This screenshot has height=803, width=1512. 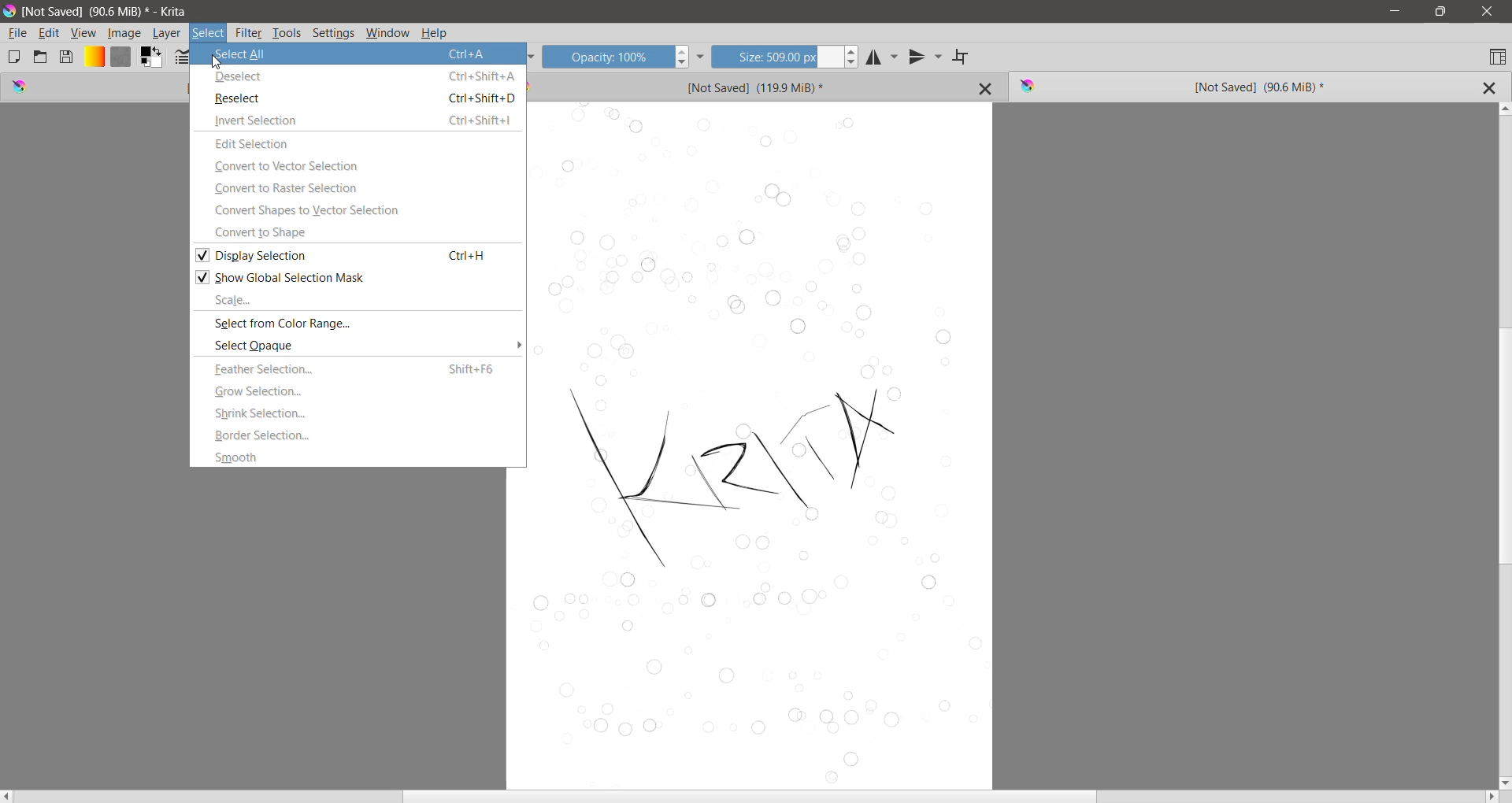 I want to click on Convert to Vector Selection, so click(x=360, y=166).